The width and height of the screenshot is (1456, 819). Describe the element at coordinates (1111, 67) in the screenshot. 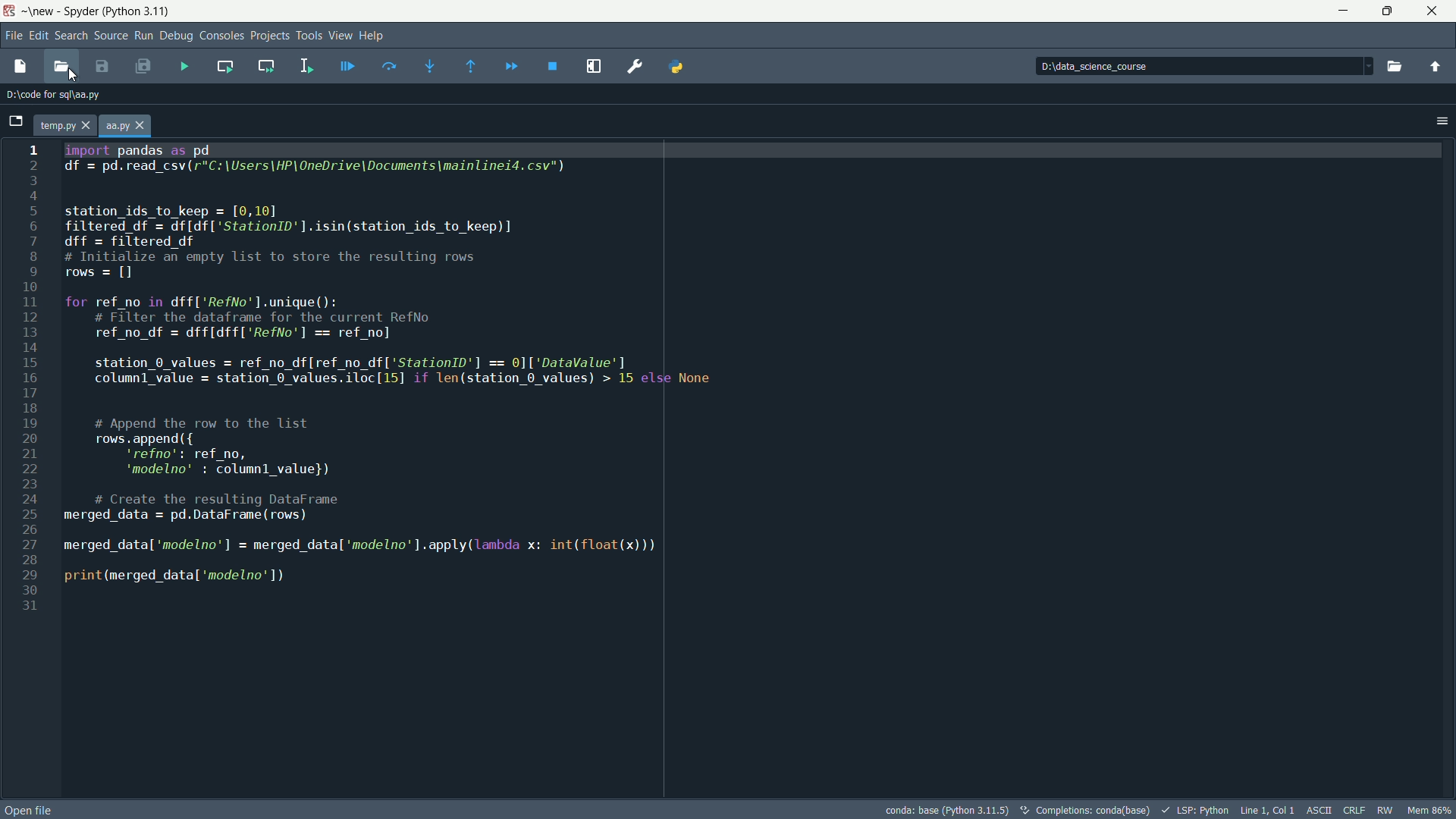

I see `D:\data_science_course.` at that location.